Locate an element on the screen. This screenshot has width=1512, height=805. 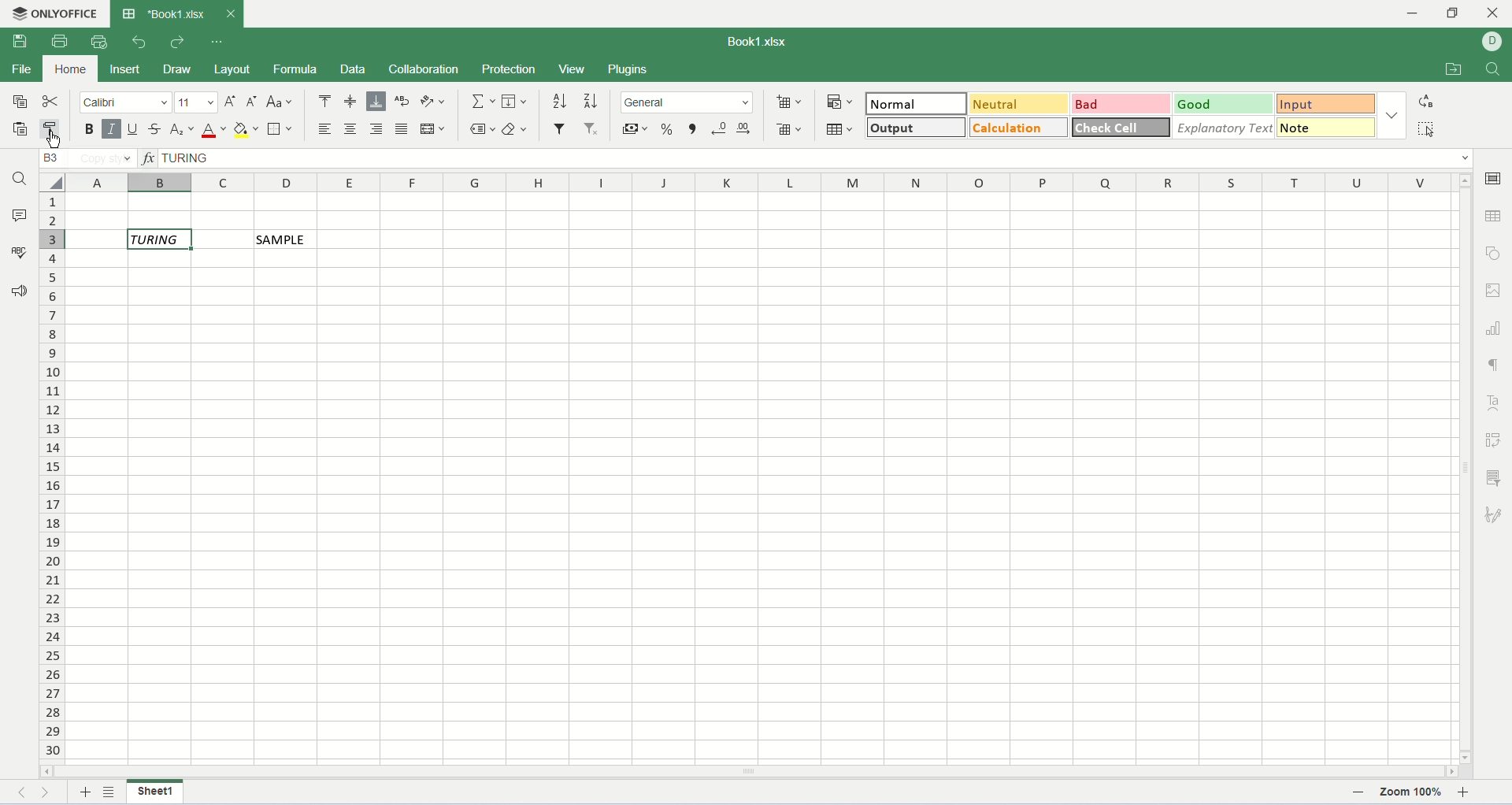
sort descending is located at coordinates (588, 103).